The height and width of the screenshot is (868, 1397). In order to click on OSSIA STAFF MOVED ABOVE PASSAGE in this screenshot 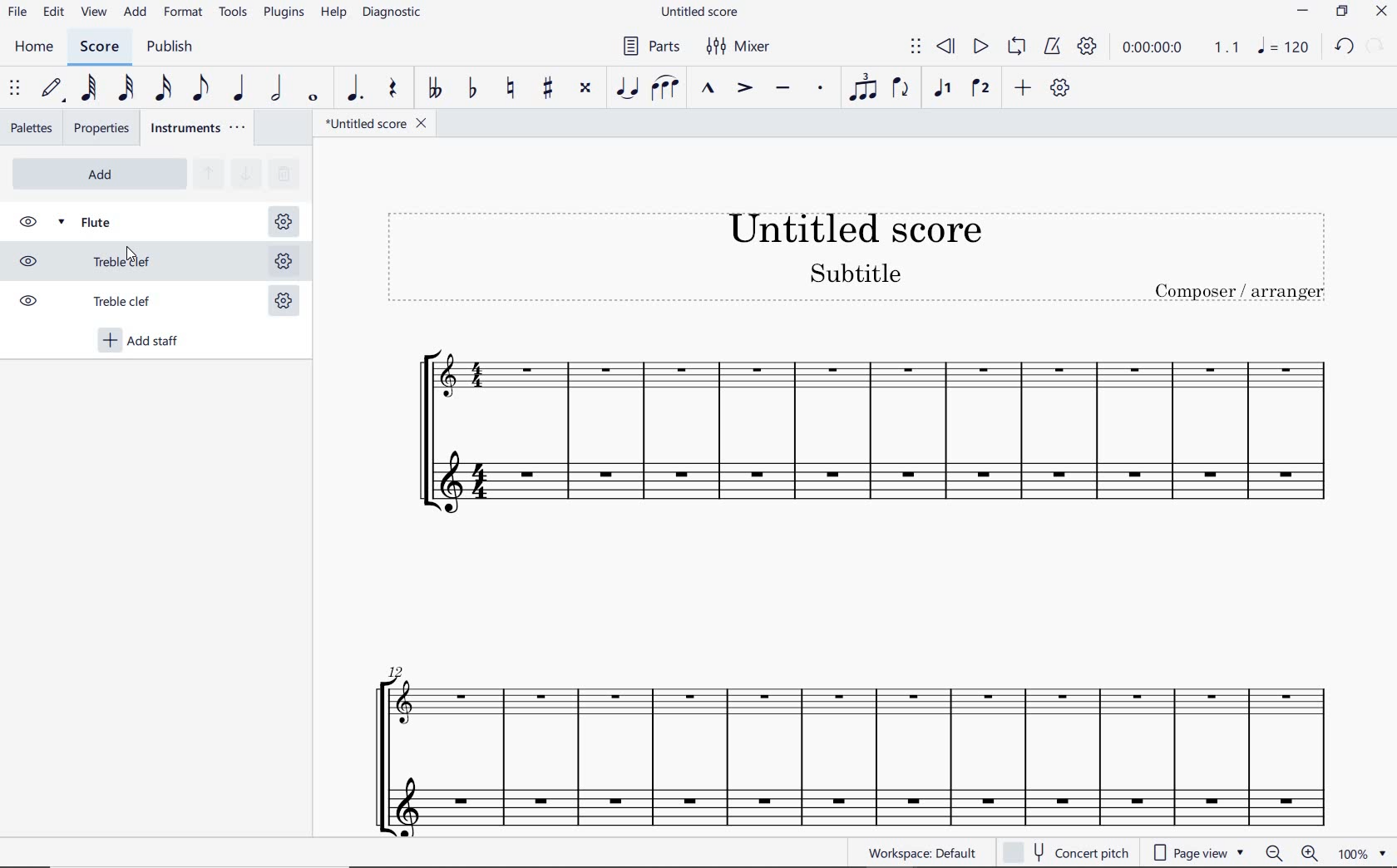, I will do `click(846, 705)`.